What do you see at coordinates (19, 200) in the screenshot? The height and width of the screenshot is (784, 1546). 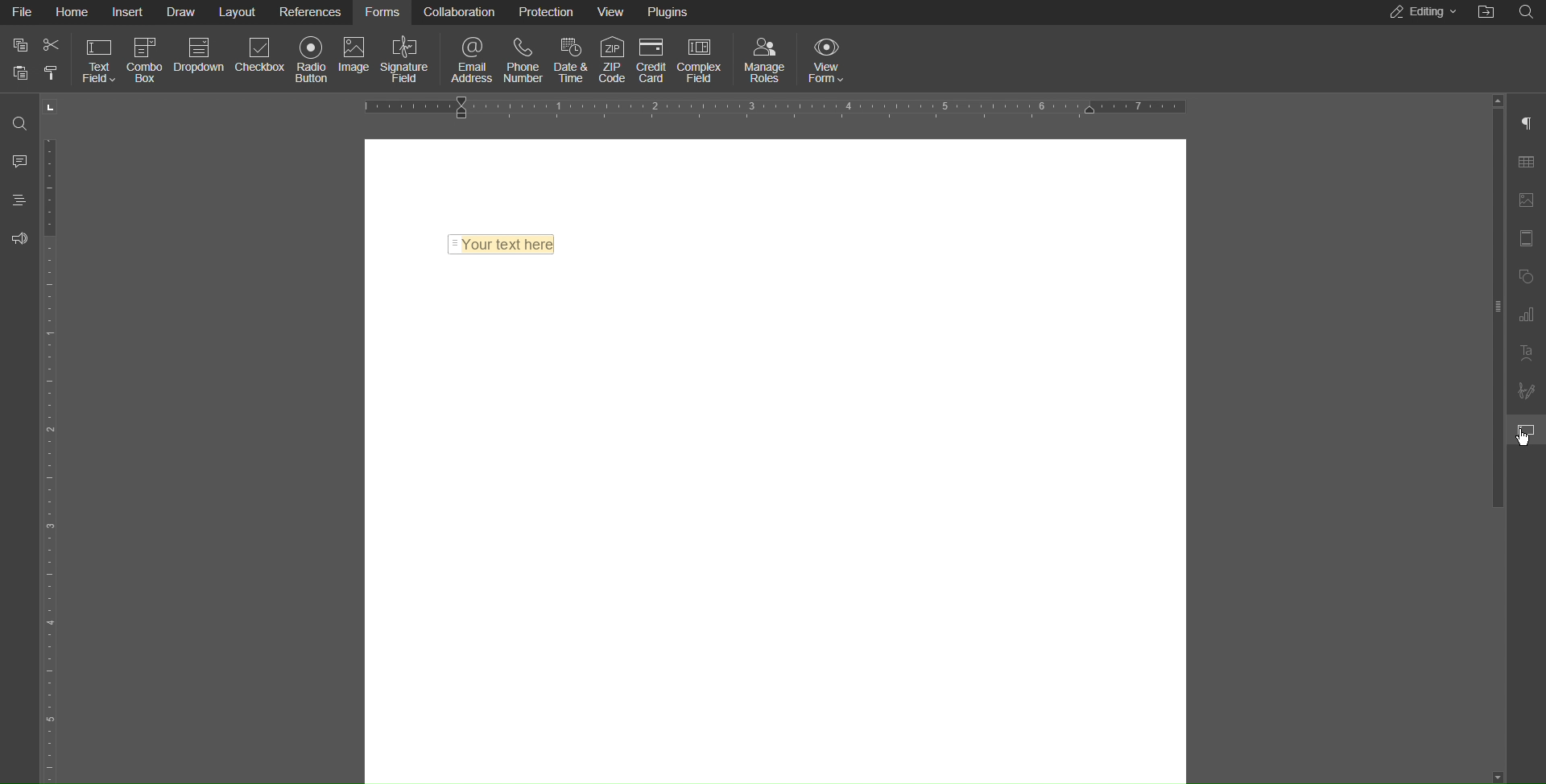 I see `Headings` at bounding box center [19, 200].